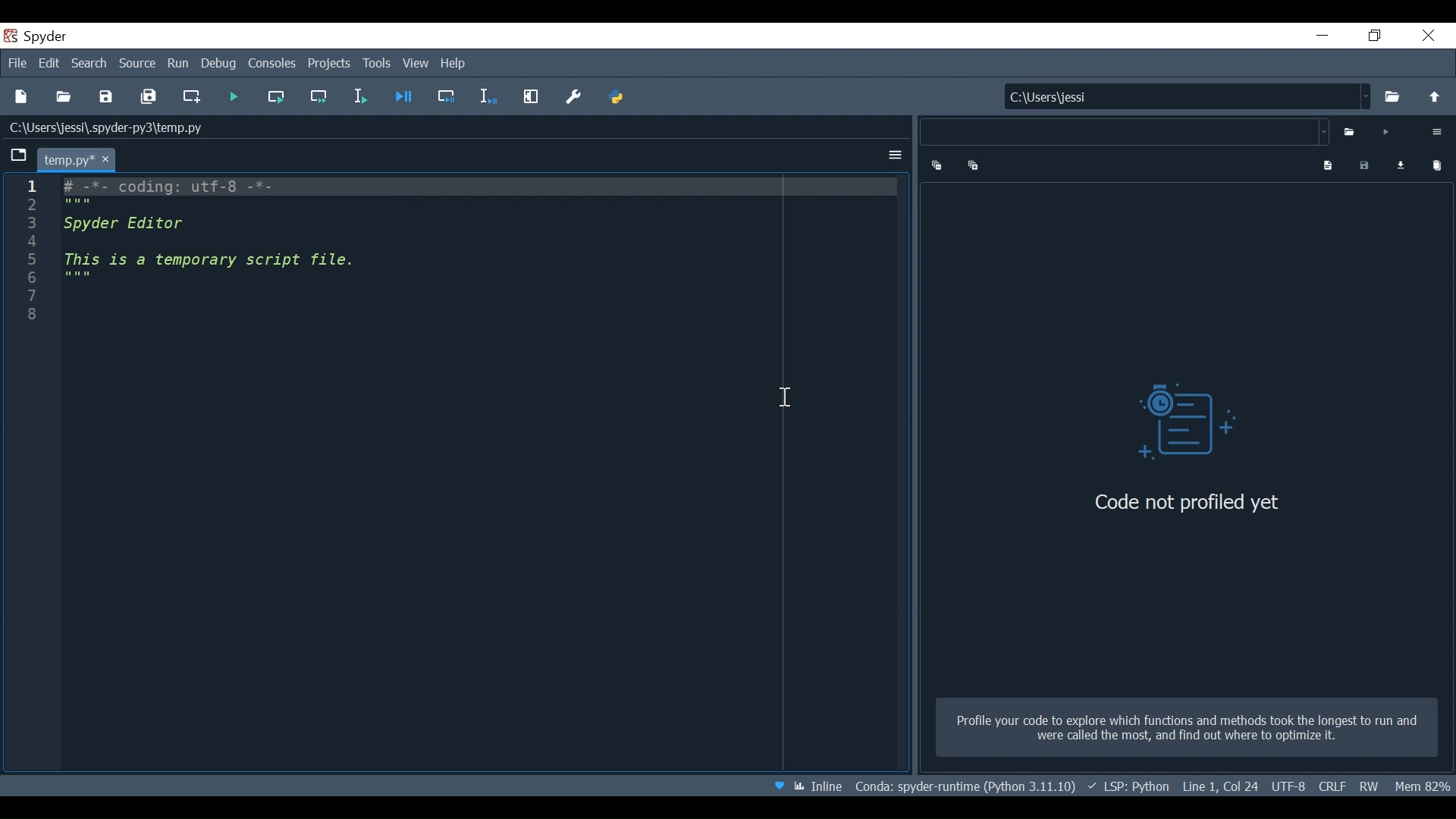  I want to click on Edit, so click(49, 63).